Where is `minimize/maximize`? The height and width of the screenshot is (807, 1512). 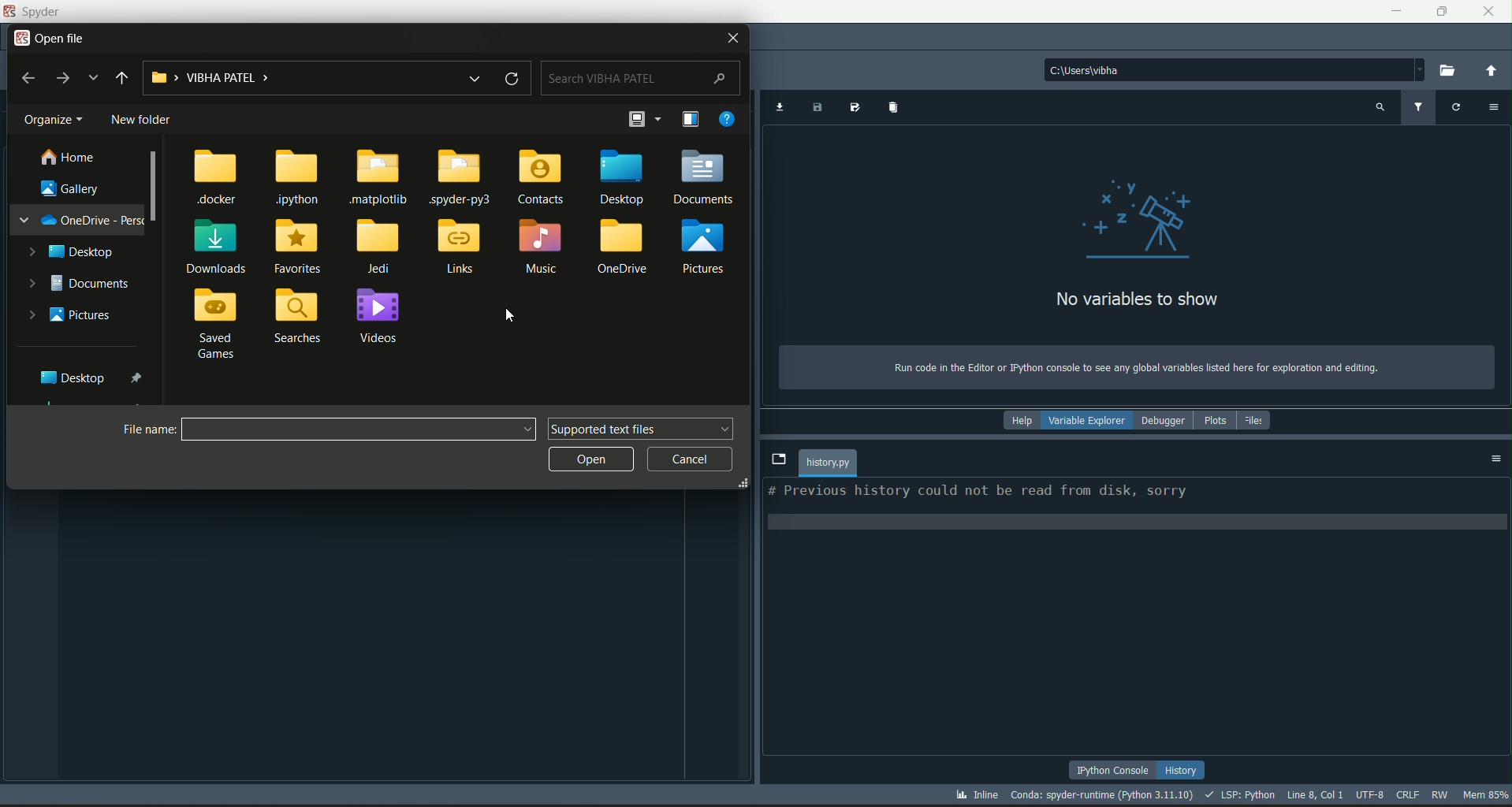
minimize/maximize is located at coordinates (1439, 12).